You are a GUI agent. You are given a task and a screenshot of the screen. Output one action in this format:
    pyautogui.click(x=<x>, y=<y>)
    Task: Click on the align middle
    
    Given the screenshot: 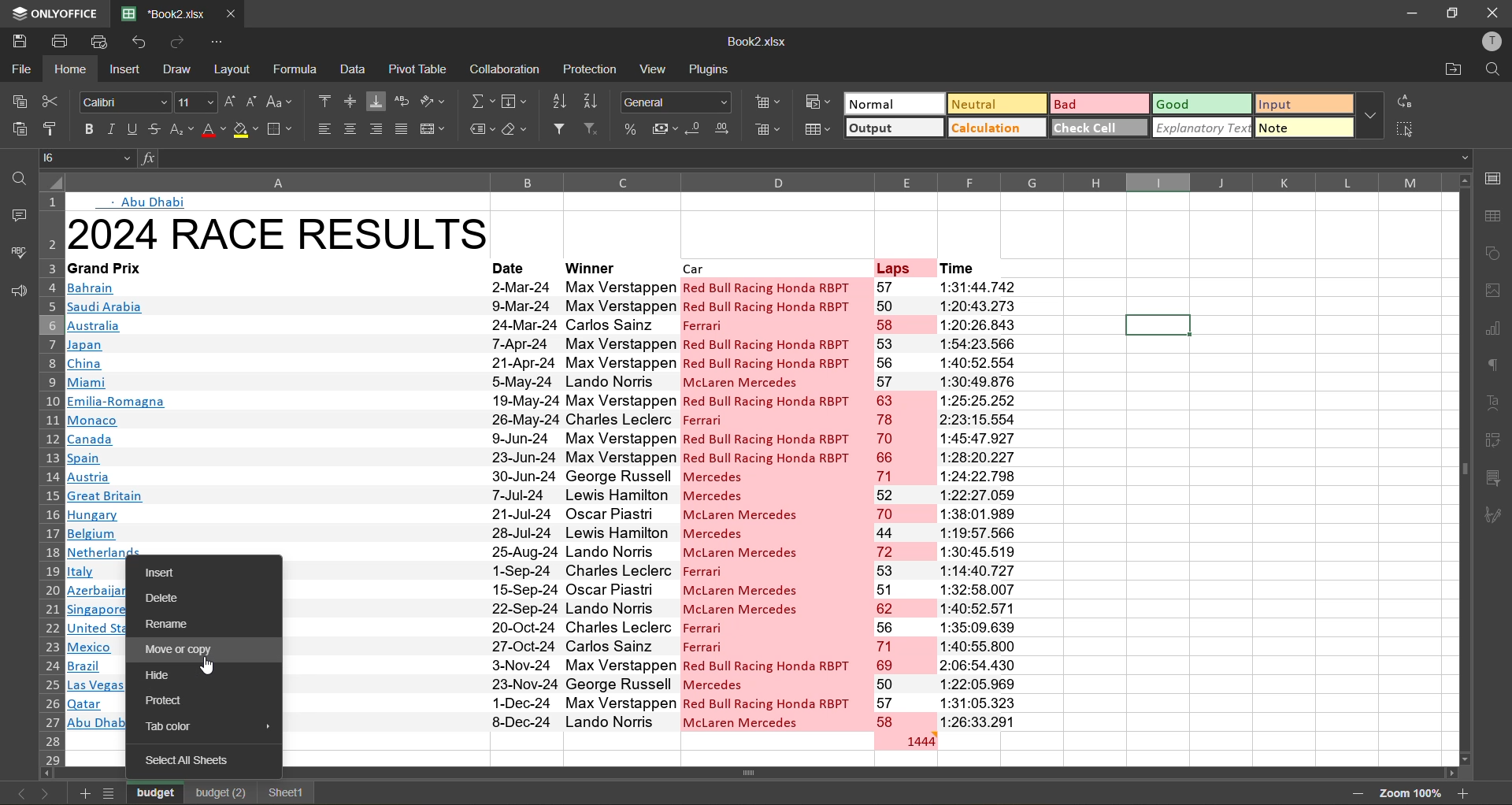 What is the action you would take?
    pyautogui.click(x=349, y=103)
    